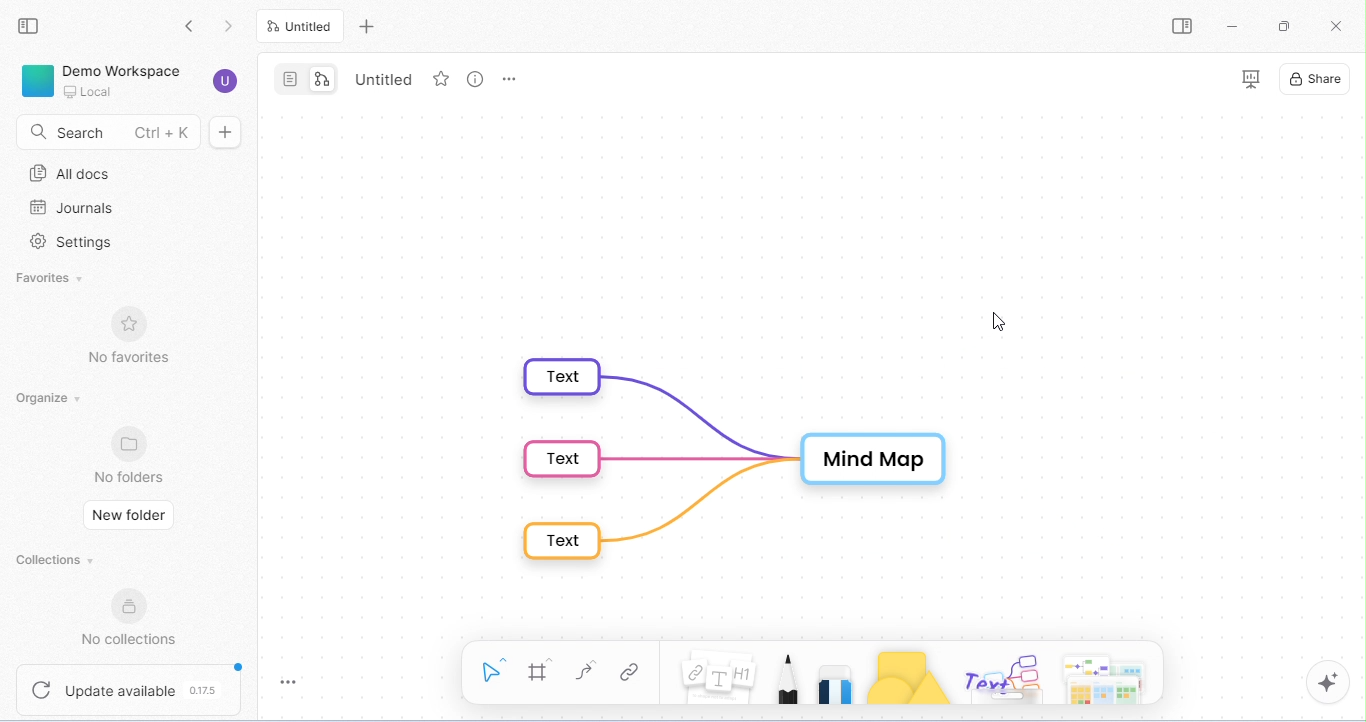 Image resolution: width=1366 pixels, height=722 pixels. Describe the element at coordinates (1339, 28) in the screenshot. I see `close` at that location.